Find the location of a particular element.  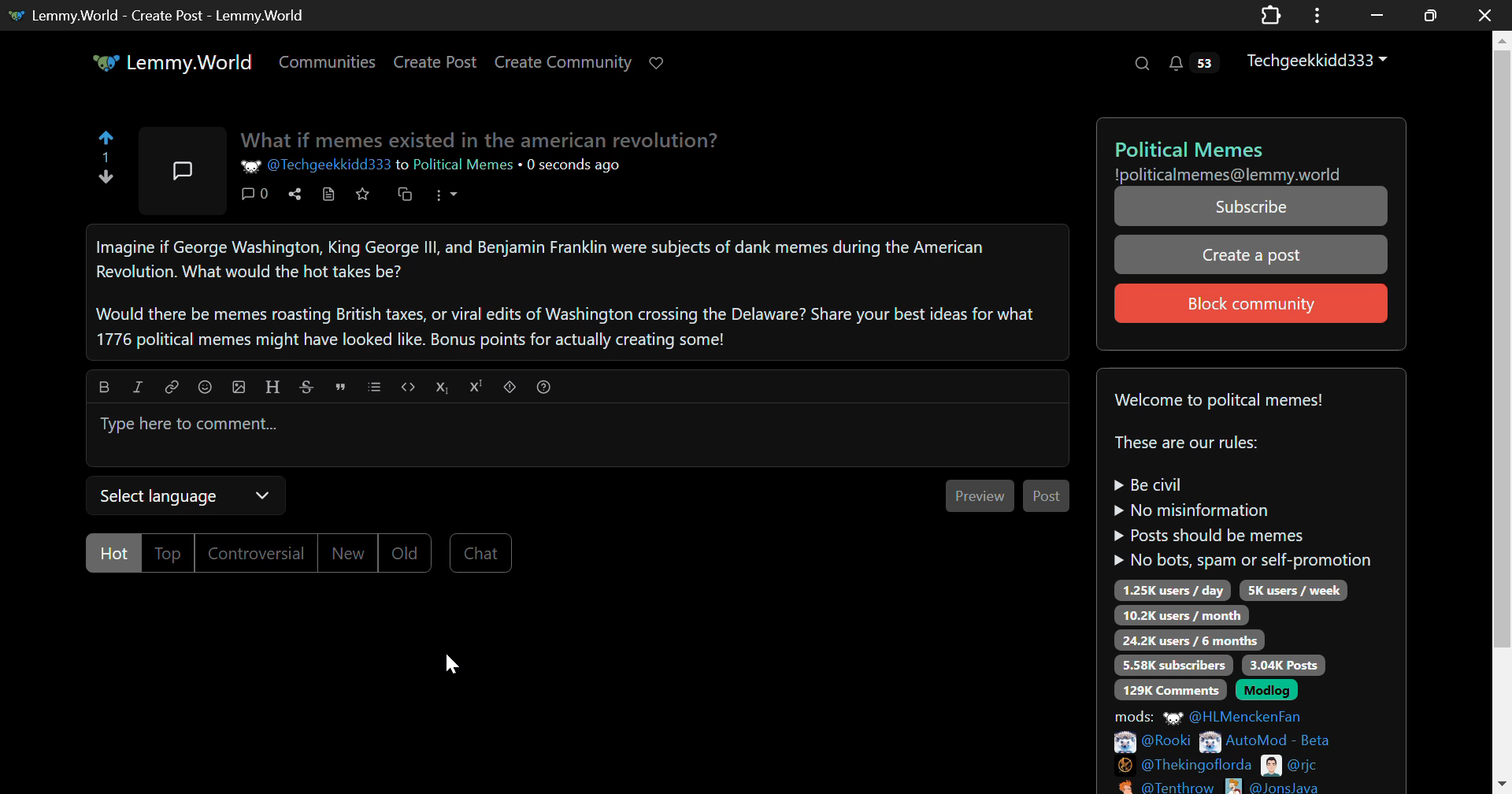

Community Rules is located at coordinates (1261, 582).